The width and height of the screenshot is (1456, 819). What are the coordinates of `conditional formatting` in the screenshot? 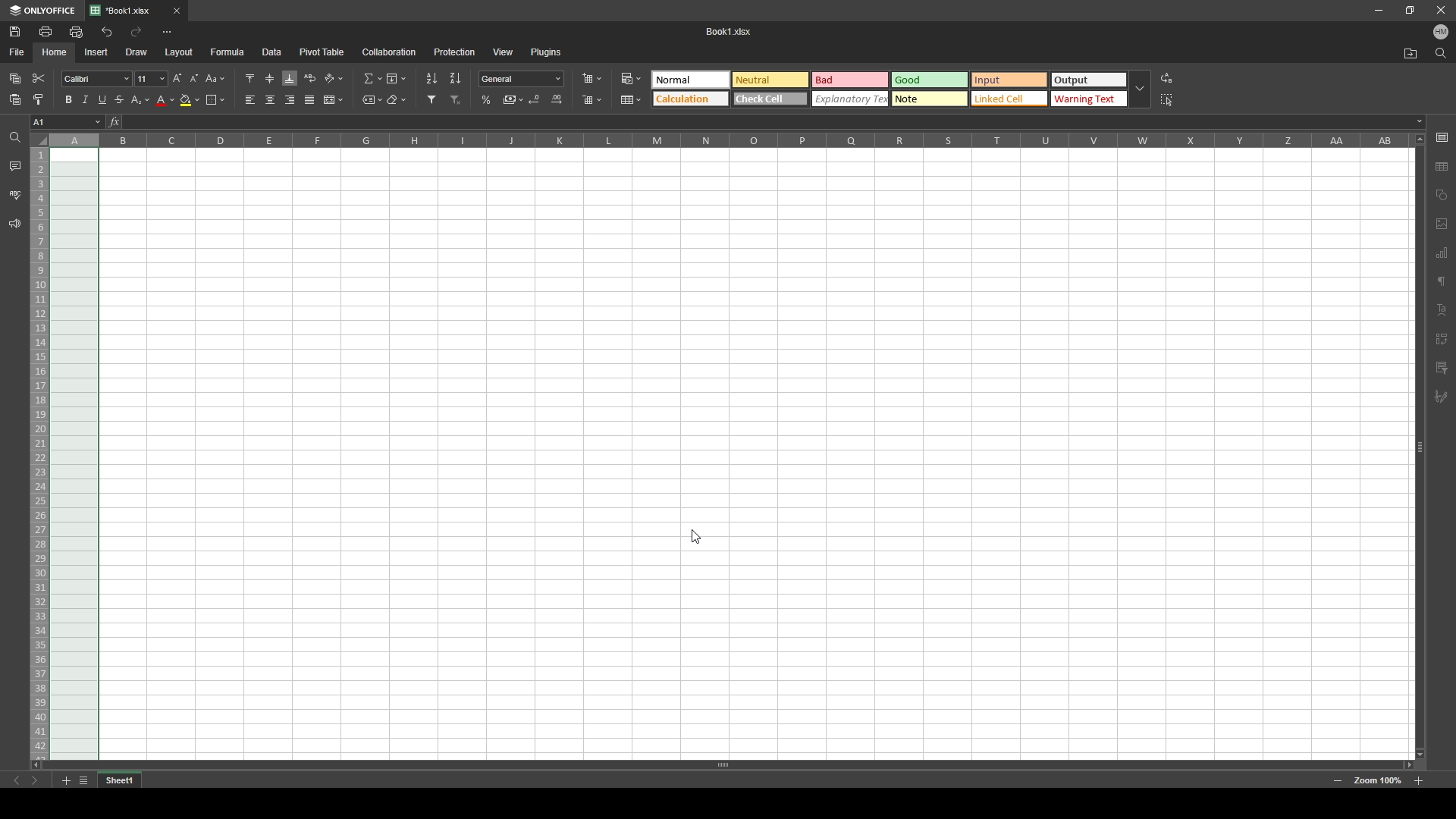 It's located at (631, 78).